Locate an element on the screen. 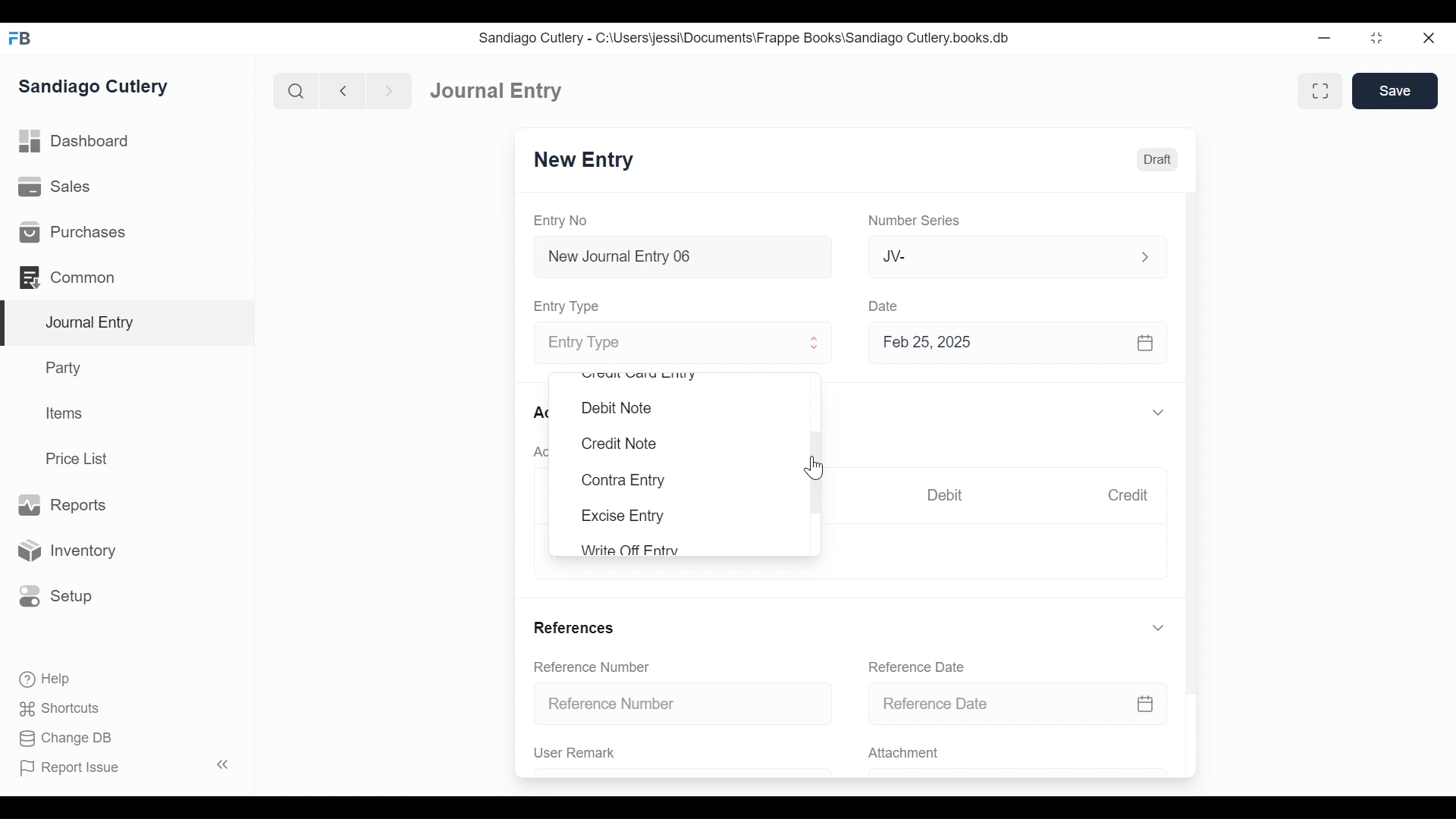  Entry No is located at coordinates (561, 221).